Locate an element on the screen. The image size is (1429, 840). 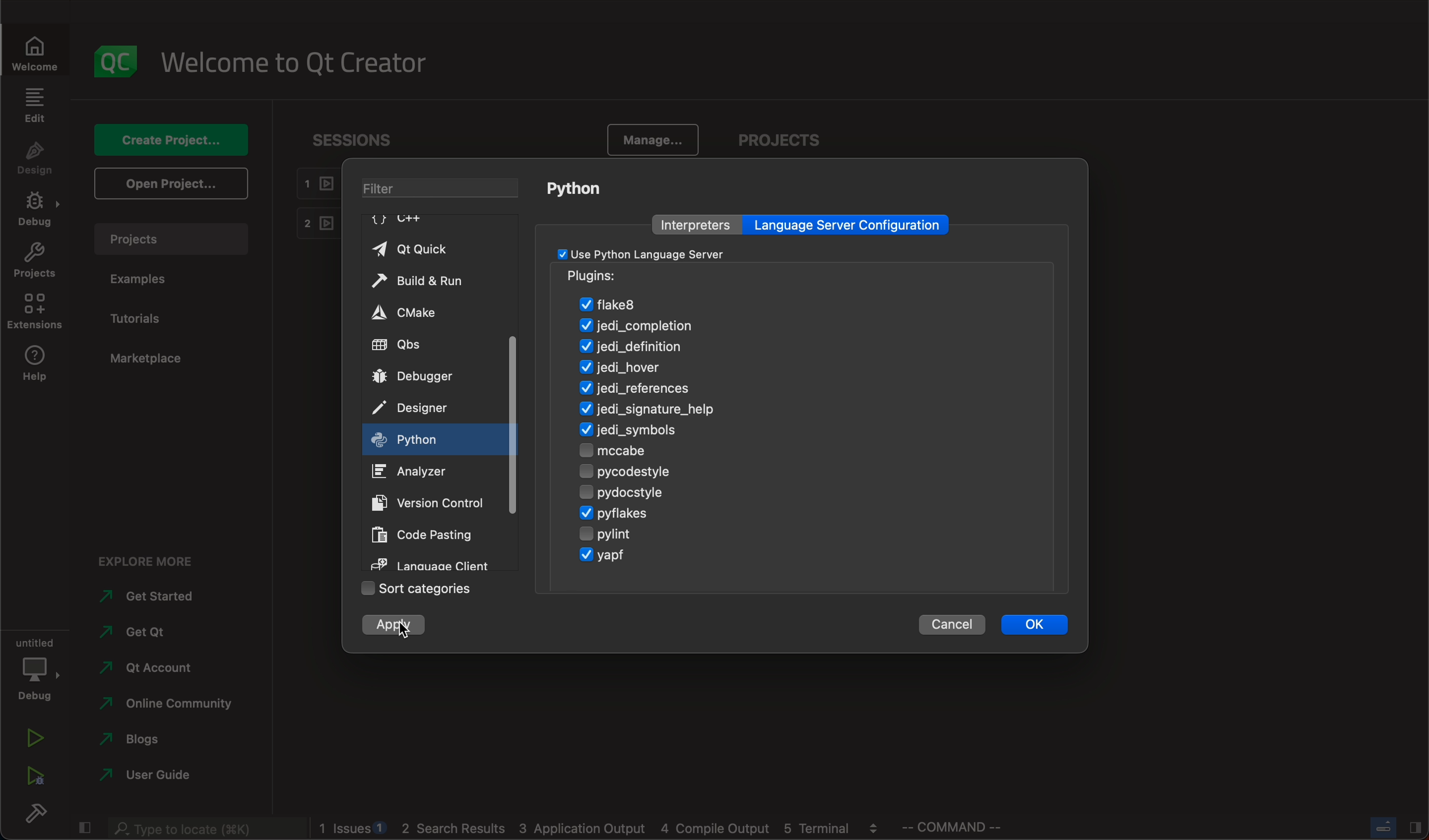
projects is located at coordinates (33, 261).